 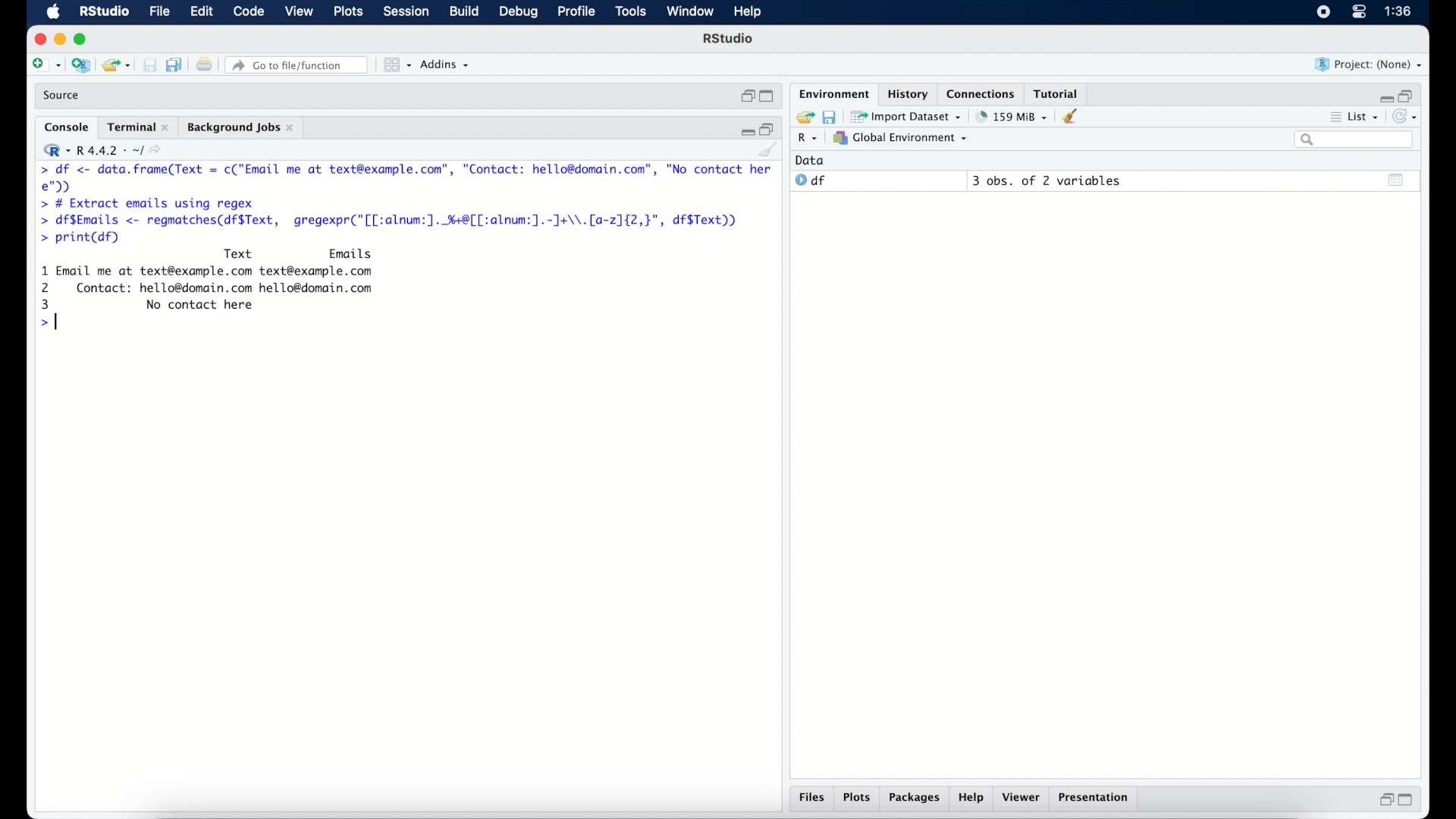 What do you see at coordinates (810, 797) in the screenshot?
I see `files` at bounding box center [810, 797].